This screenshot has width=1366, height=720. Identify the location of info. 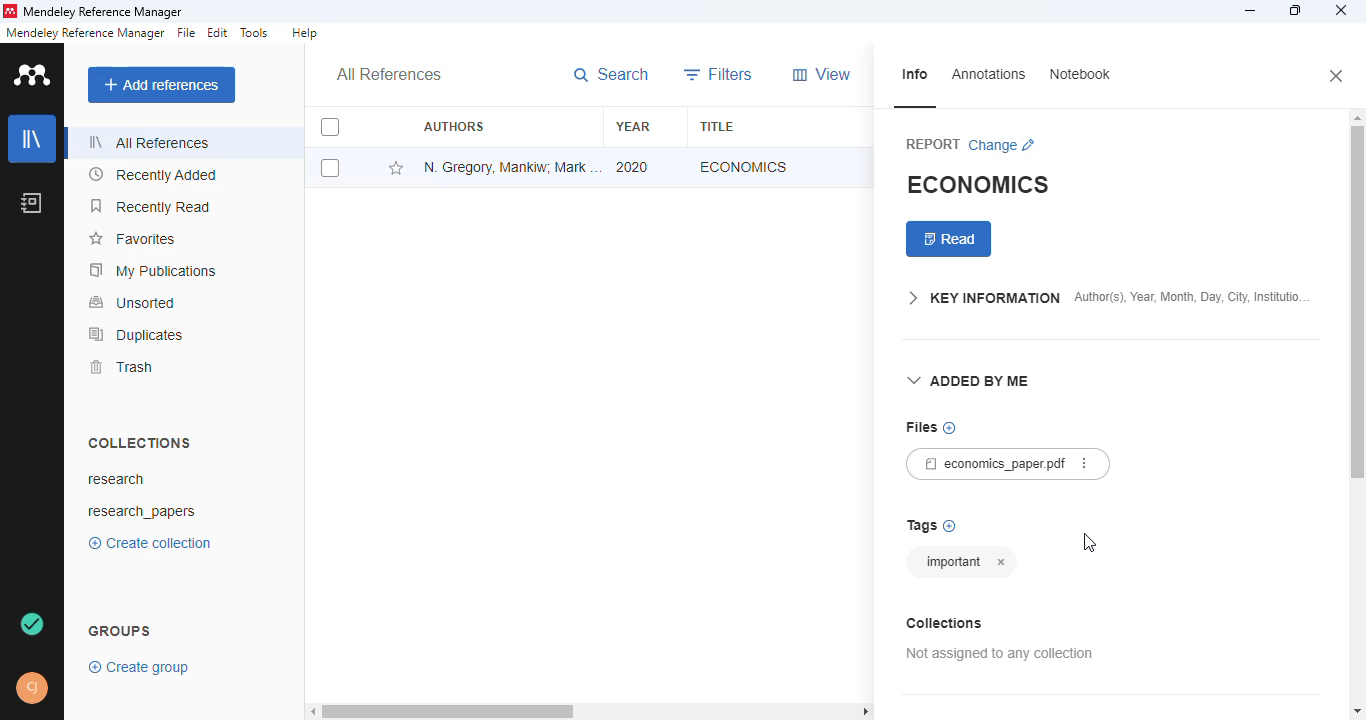
(914, 75).